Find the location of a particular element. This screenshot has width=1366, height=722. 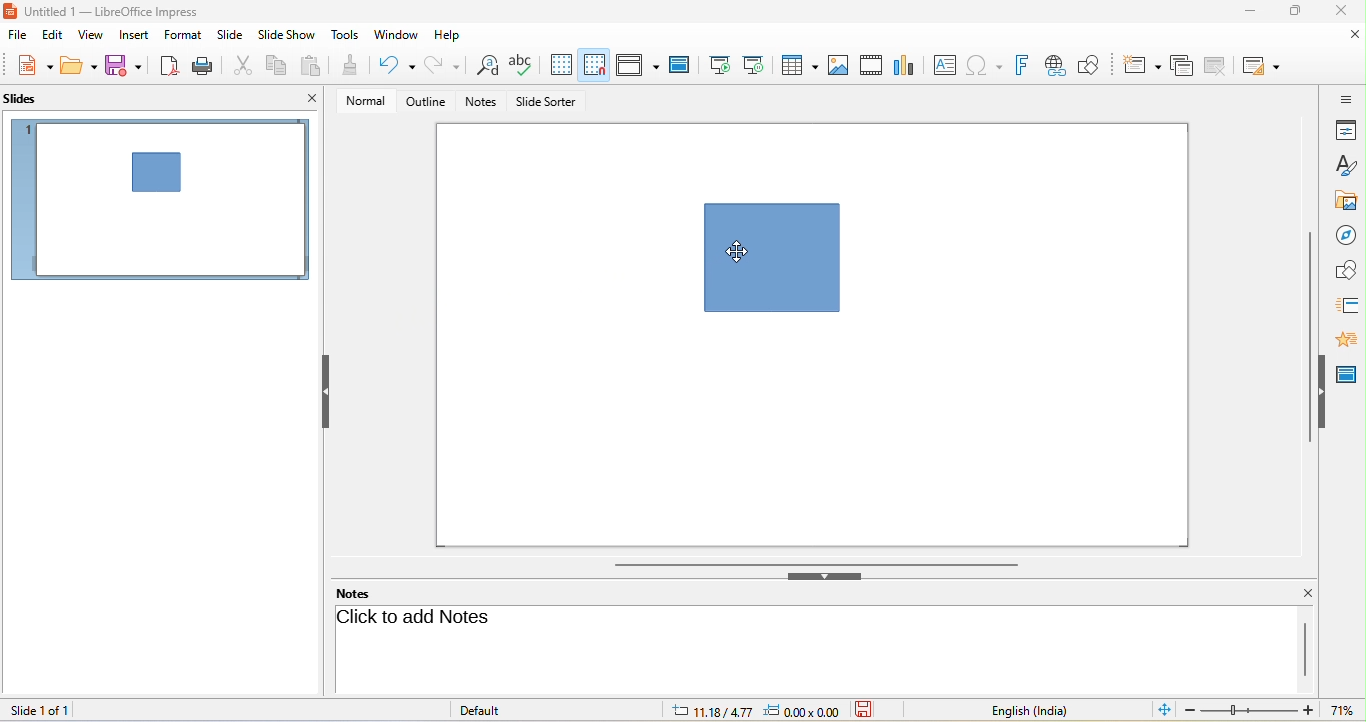

edit is located at coordinates (50, 38).